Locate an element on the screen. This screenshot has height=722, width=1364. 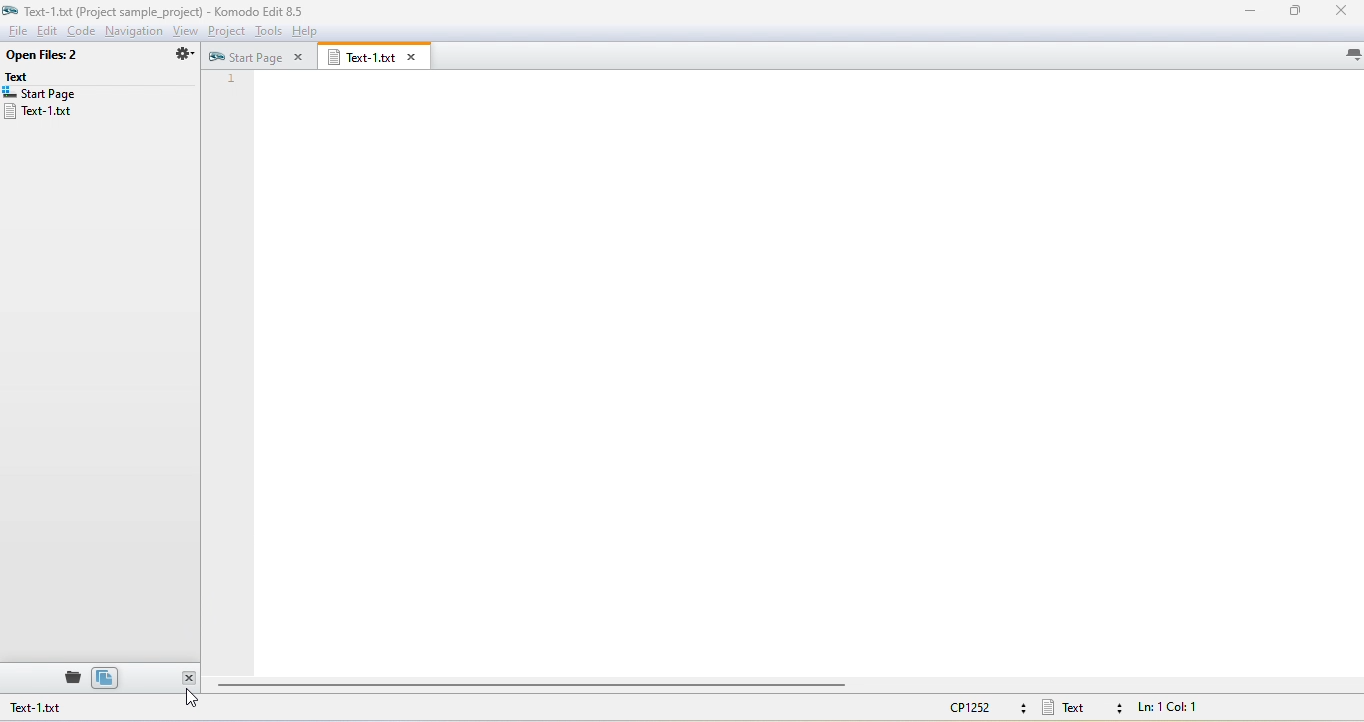
file name and file path is located at coordinates (113, 11).